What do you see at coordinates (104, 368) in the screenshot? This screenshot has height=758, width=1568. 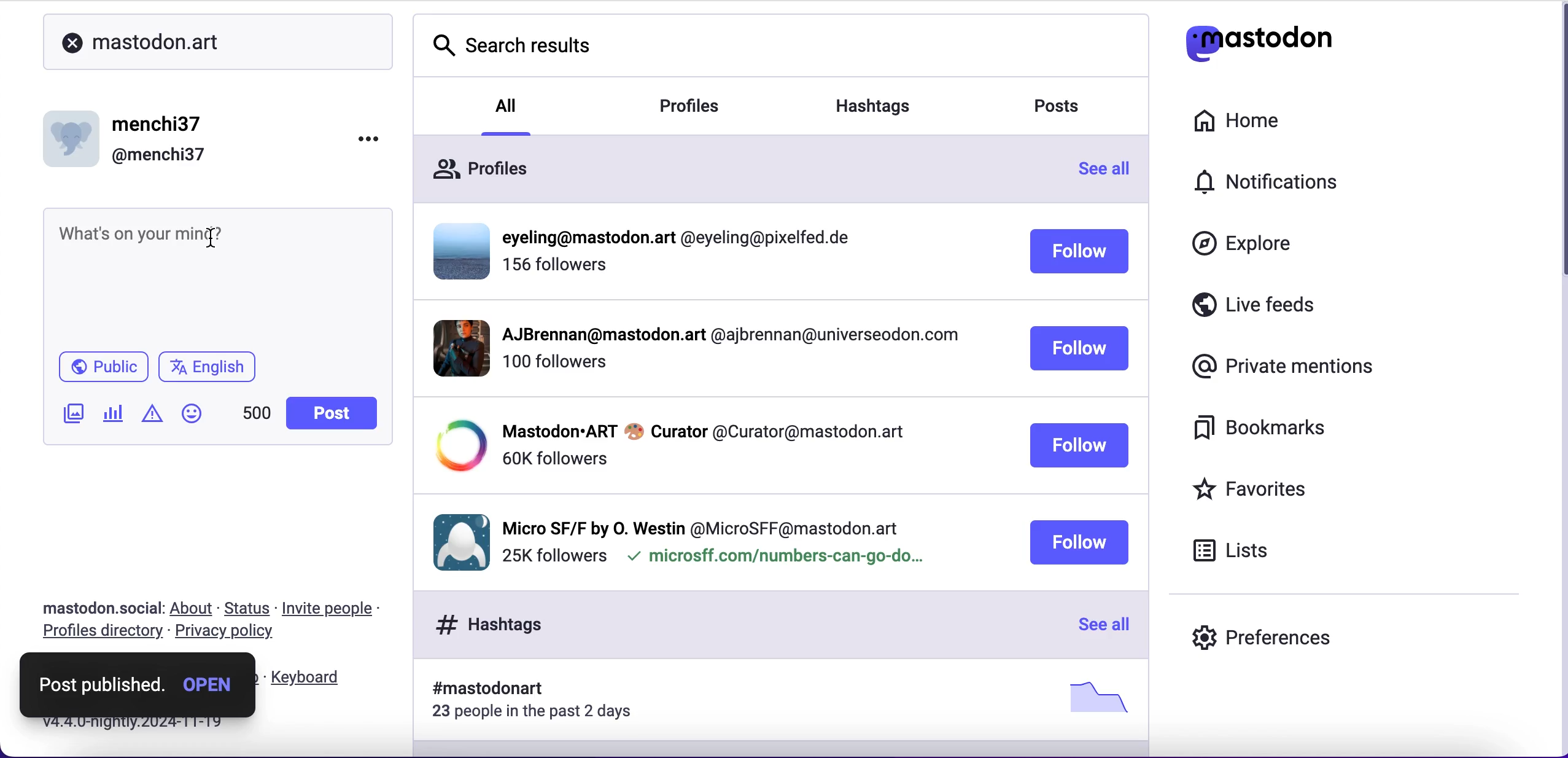 I see `public` at bounding box center [104, 368].